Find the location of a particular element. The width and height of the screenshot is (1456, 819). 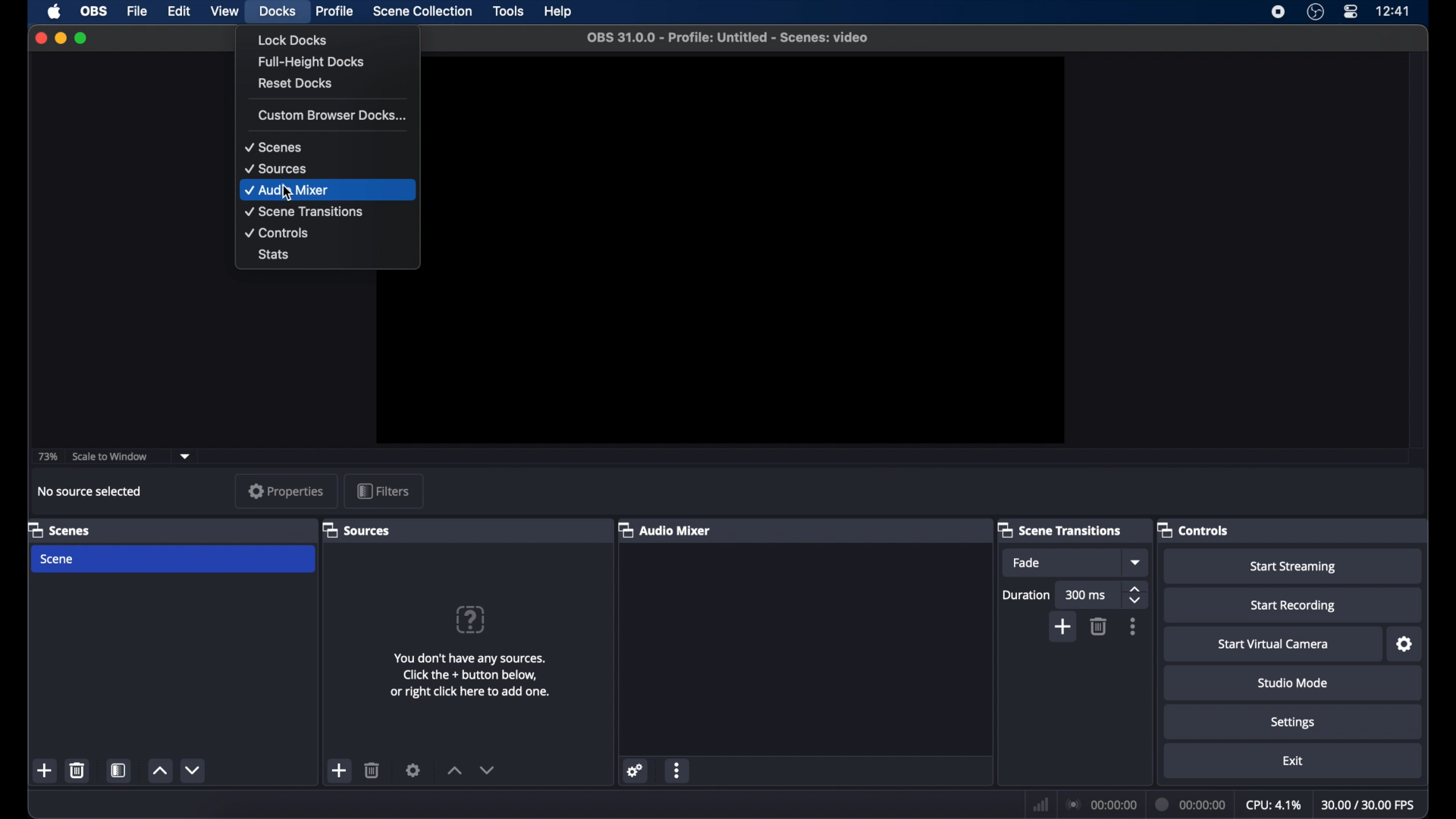

edit is located at coordinates (178, 11).